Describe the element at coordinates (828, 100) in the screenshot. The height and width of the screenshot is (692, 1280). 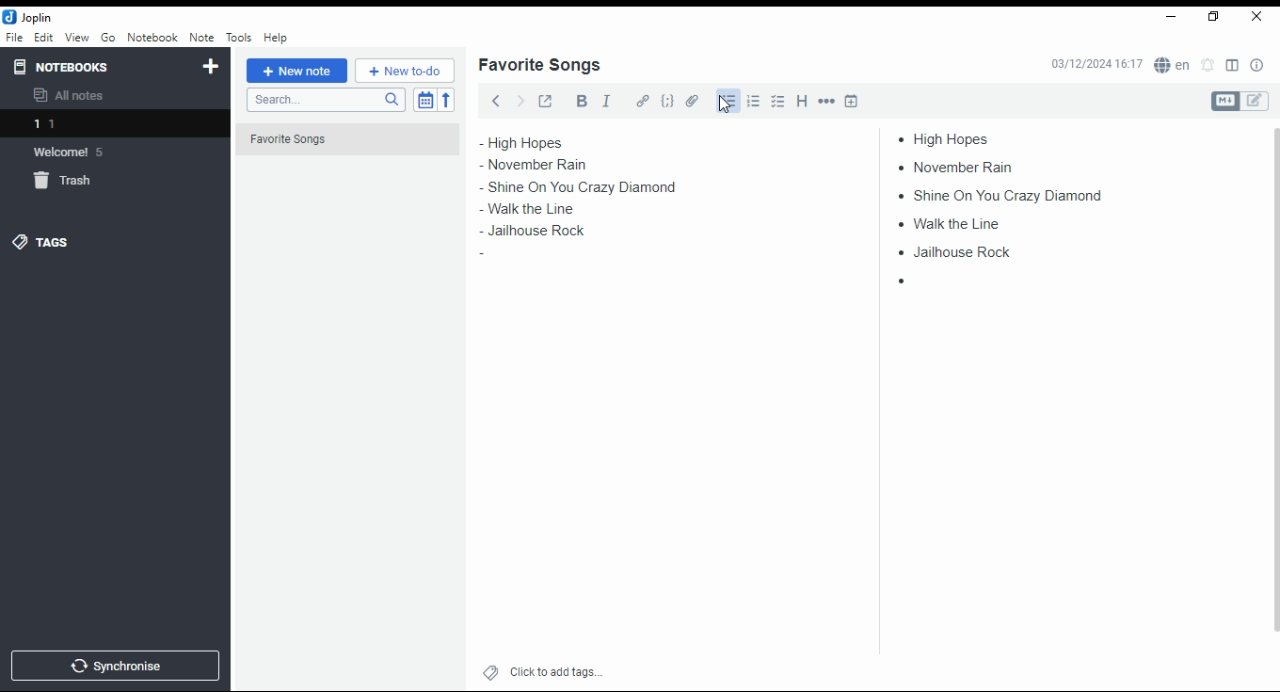
I see `horizontal rule` at that location.